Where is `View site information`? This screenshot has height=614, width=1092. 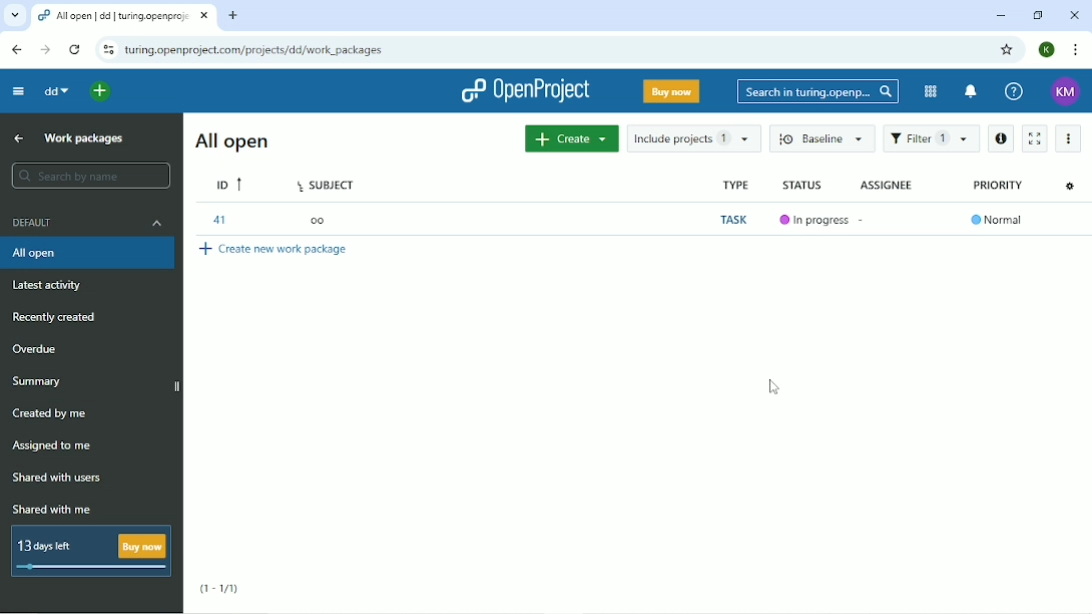 View site information is located at coordinates (107, 51).